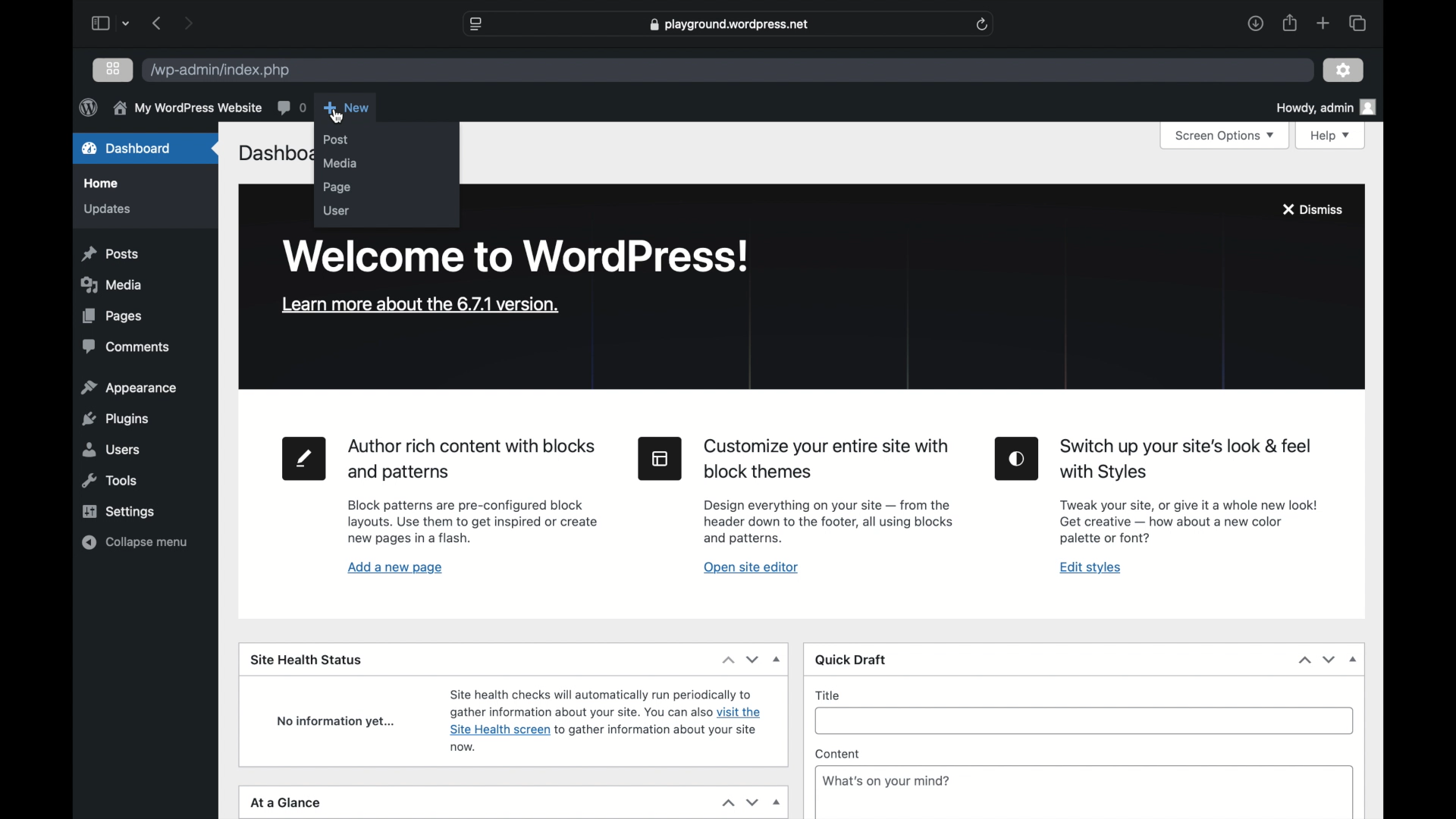  Describe the element at coordinates (1087, 726) in the screenshot. I see `title input` at that location.